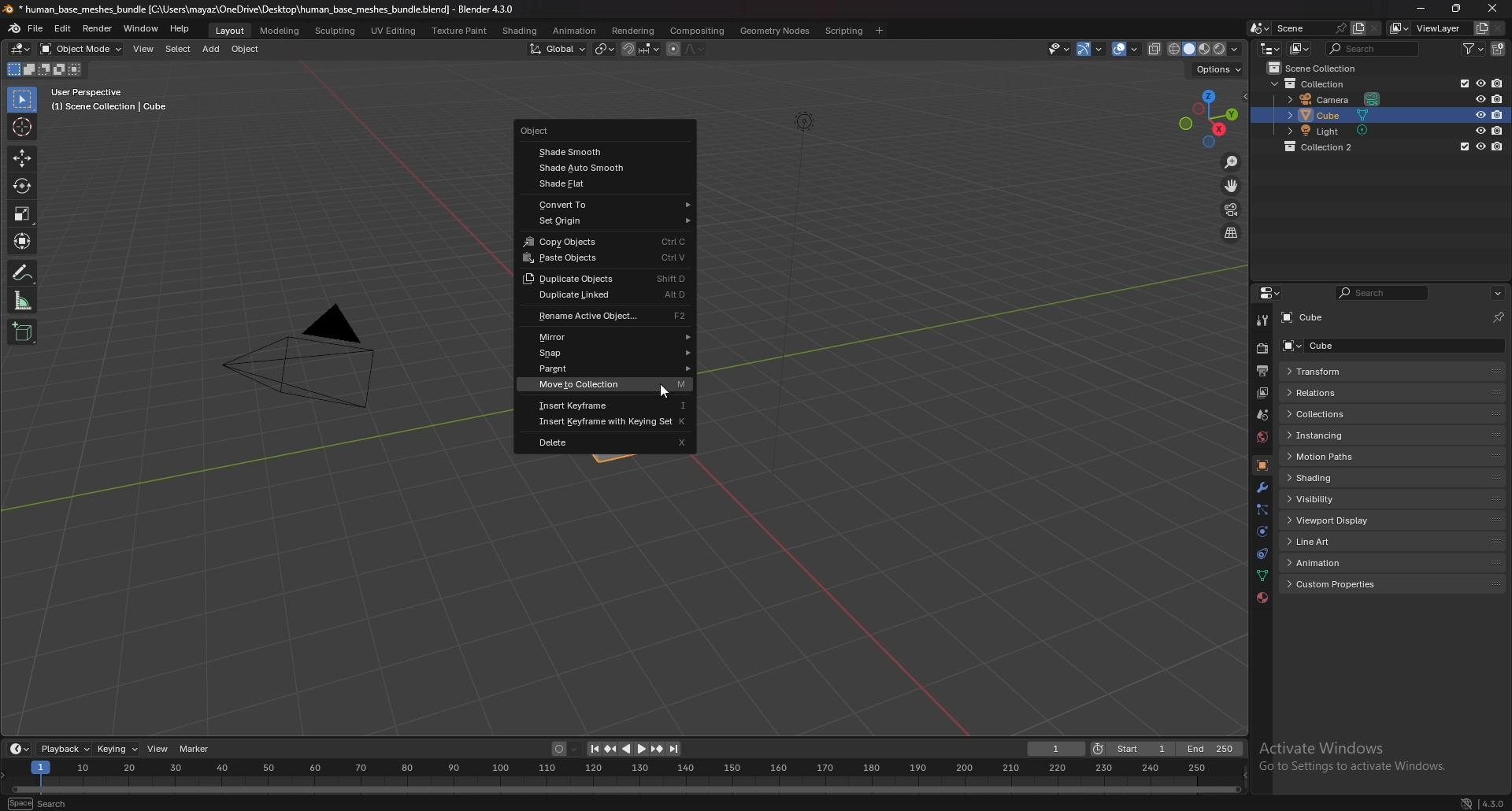 This screenshot has height=811, width=1512. What do you see at coordinates (574, 30) in the screenshot?
I see `anination` at bounding box center [574, 30].